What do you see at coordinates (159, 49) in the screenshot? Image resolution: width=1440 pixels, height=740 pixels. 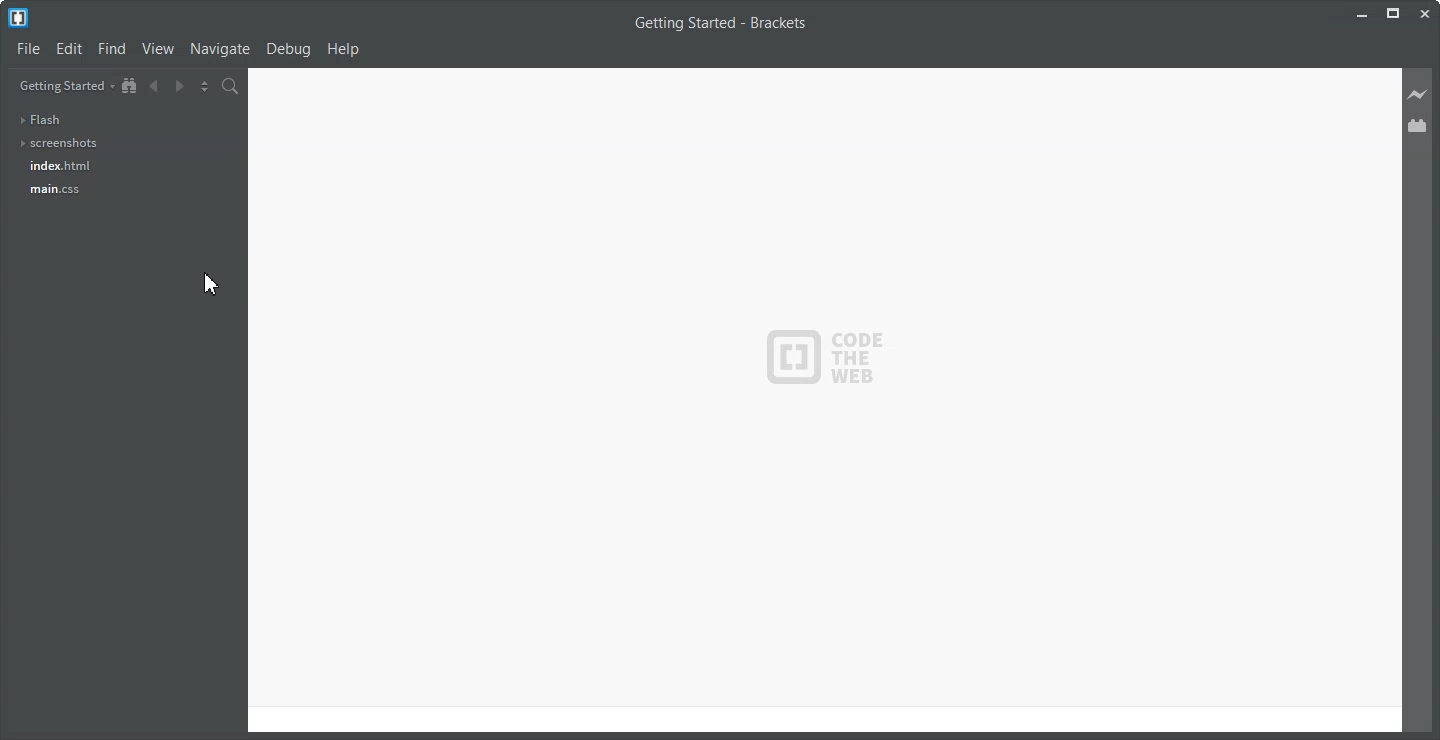 I see `View` at bounding box center [159, 49].